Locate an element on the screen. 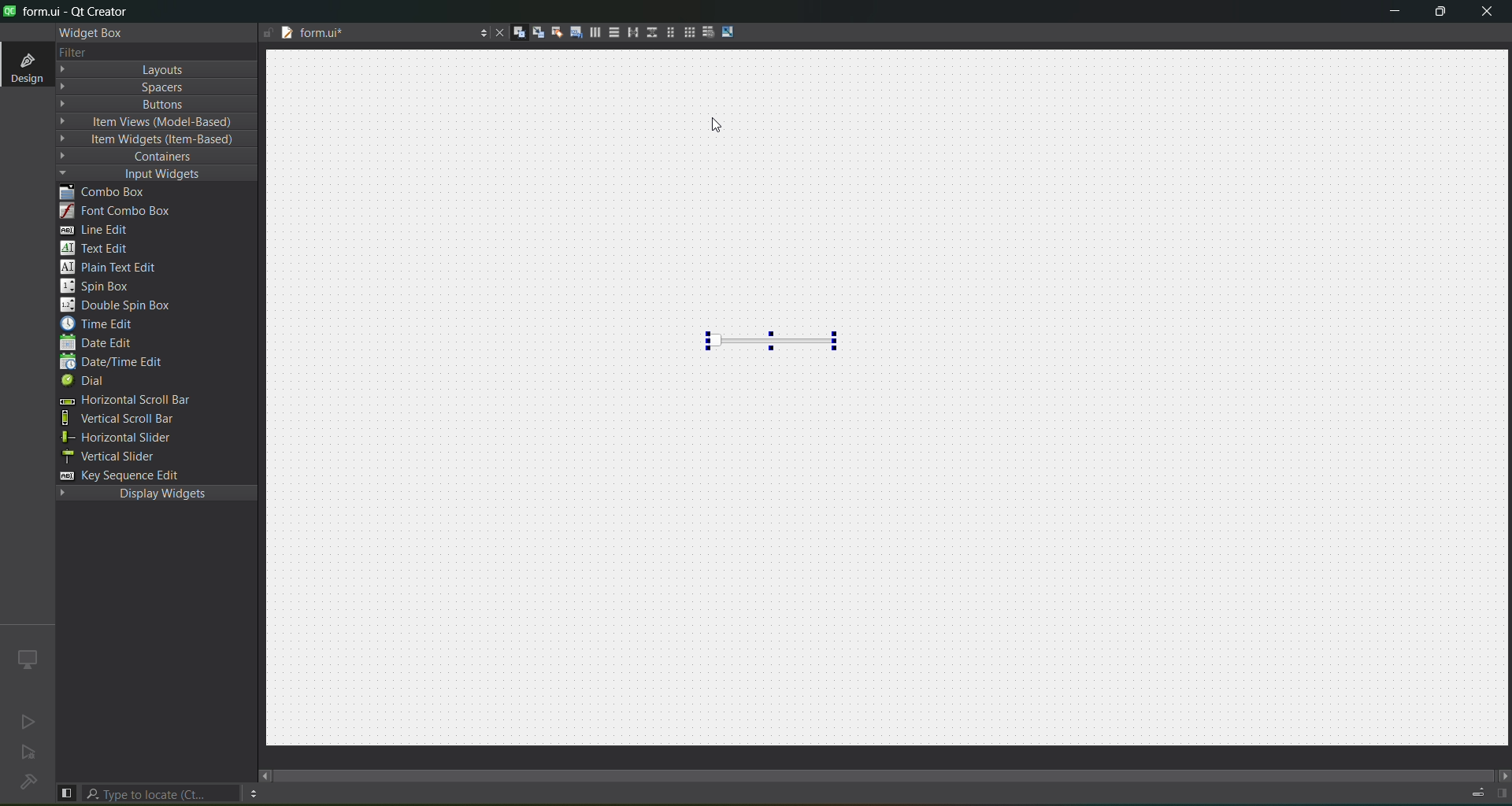  break layout is located at coordinates (710, 32).